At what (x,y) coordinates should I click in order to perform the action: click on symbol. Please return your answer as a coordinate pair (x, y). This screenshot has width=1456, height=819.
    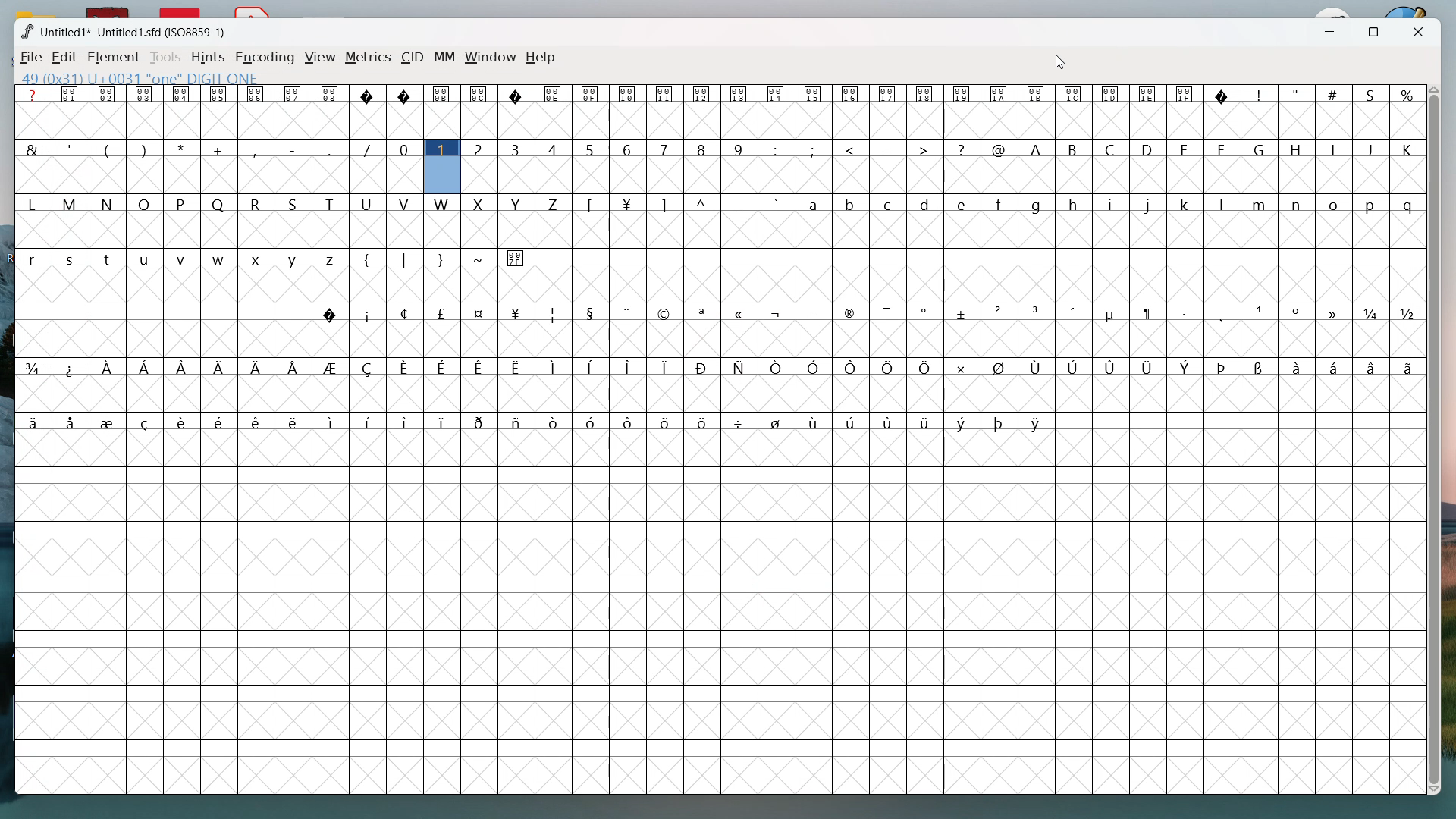
    Looking at the image, I should click on (144, 94).